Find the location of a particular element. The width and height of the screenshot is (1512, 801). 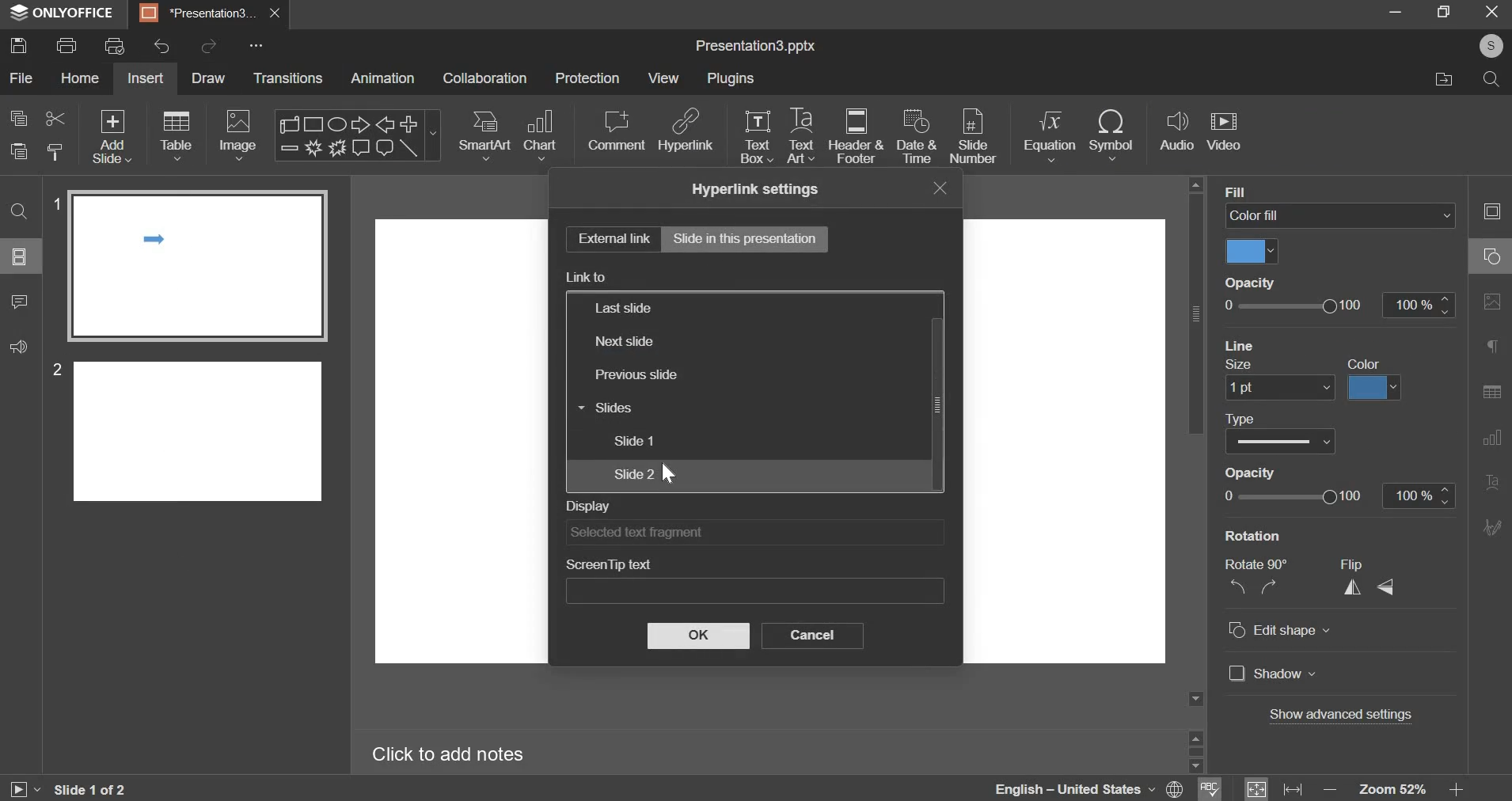

left arrow is located at coordinates (385, 124).